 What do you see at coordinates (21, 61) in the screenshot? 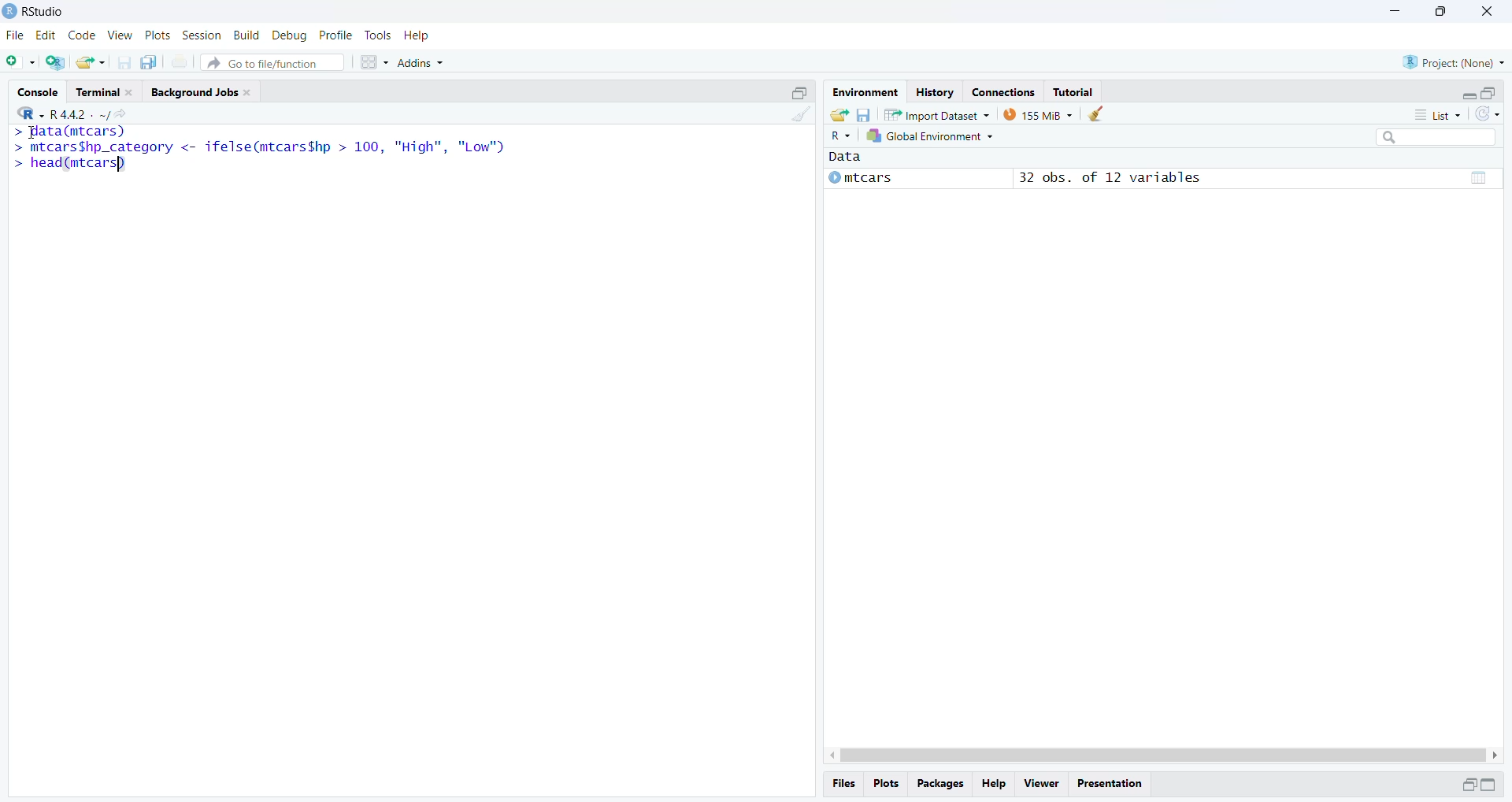
I see `New File` at bounding box center [21, 61].